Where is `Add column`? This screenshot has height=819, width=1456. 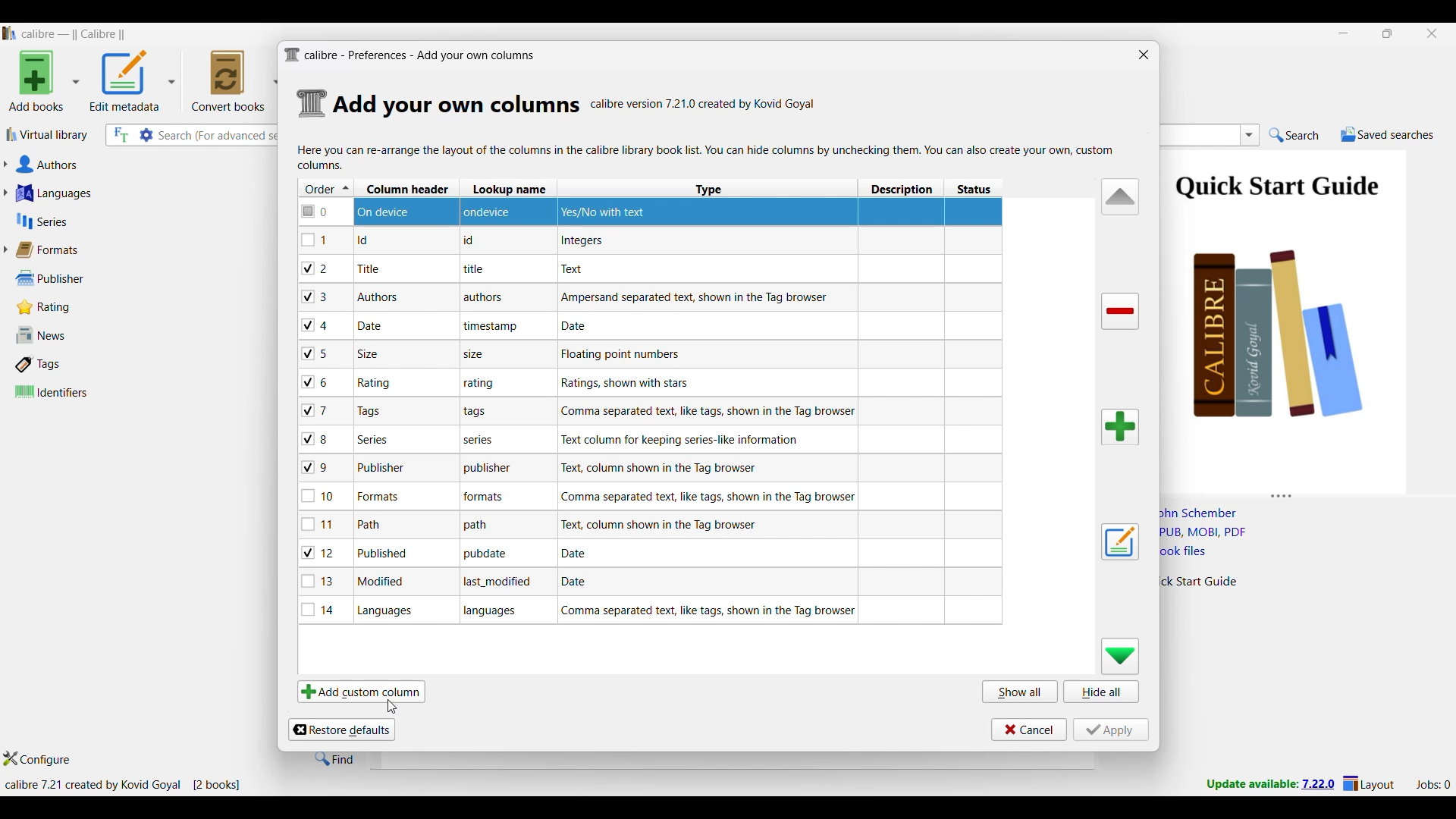
Add column is located at coordinates (1120, 427).